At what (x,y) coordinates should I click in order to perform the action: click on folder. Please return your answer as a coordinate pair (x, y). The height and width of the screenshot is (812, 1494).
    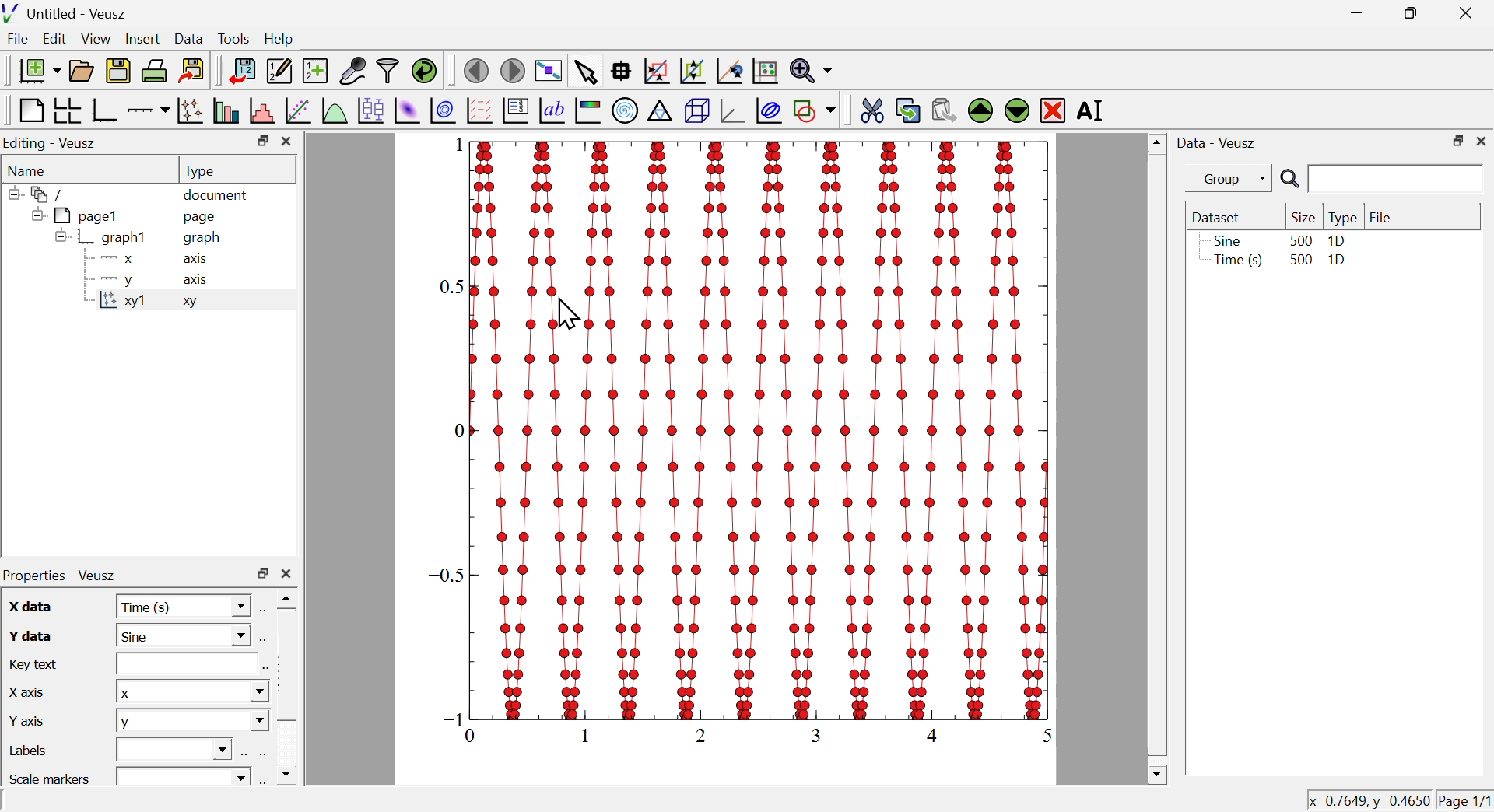
    Looking at the image, I should click on (43, 194).